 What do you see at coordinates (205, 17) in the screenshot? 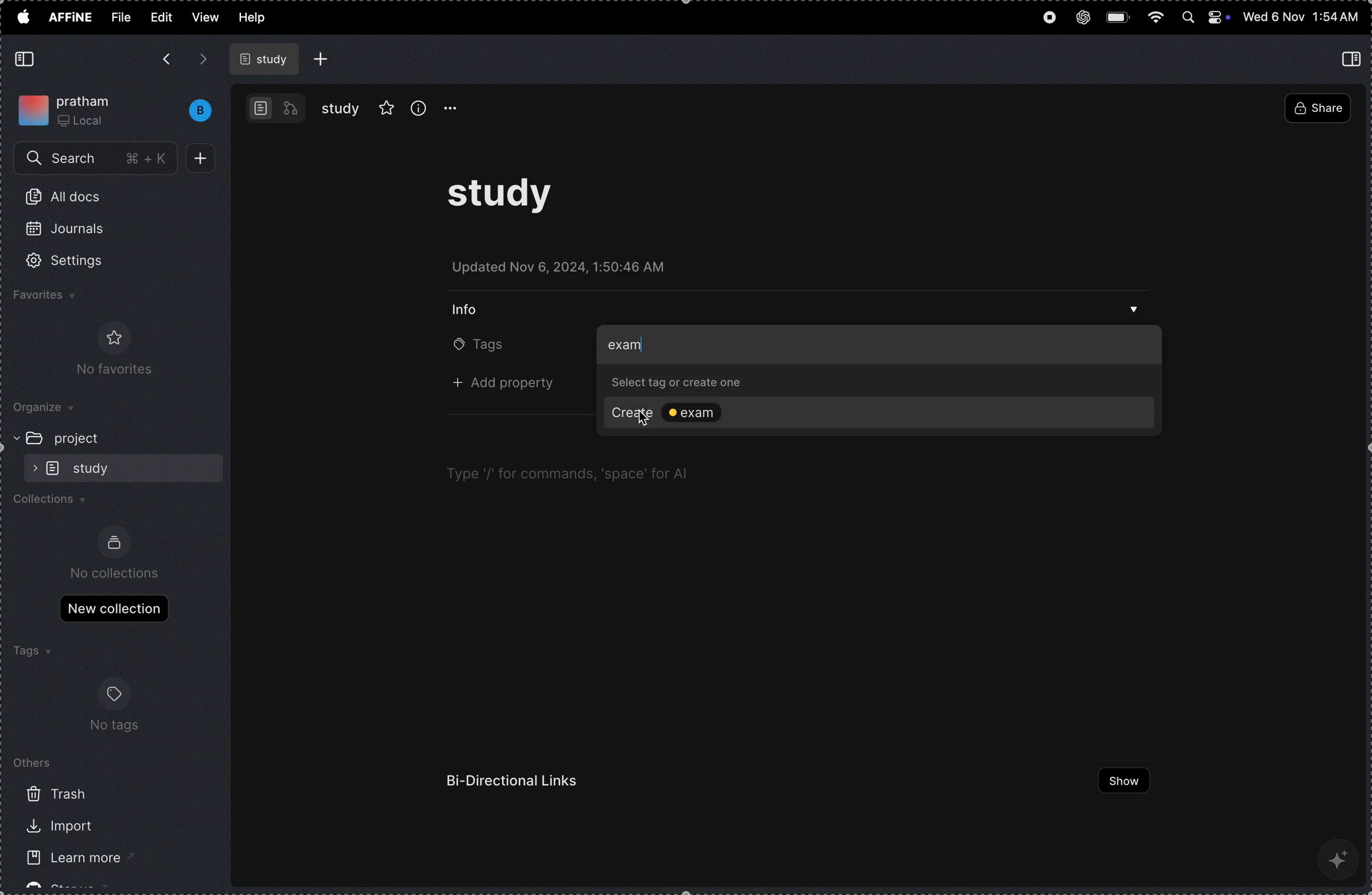
I see `view` at bounding box center [205, 17].